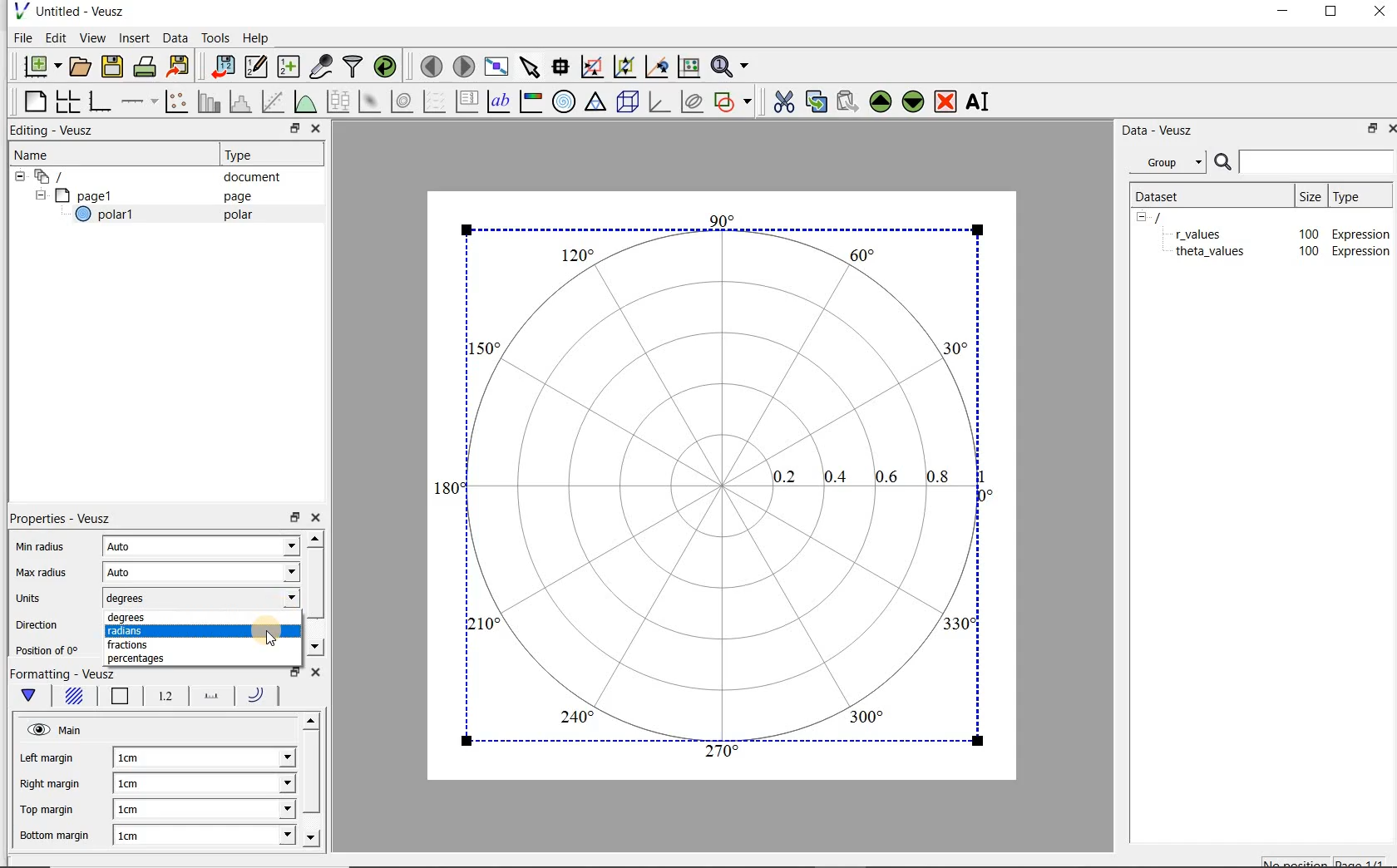  Describe the element at coordinates (315, 594) in the screenshot. I see `scroll bar` at that location.